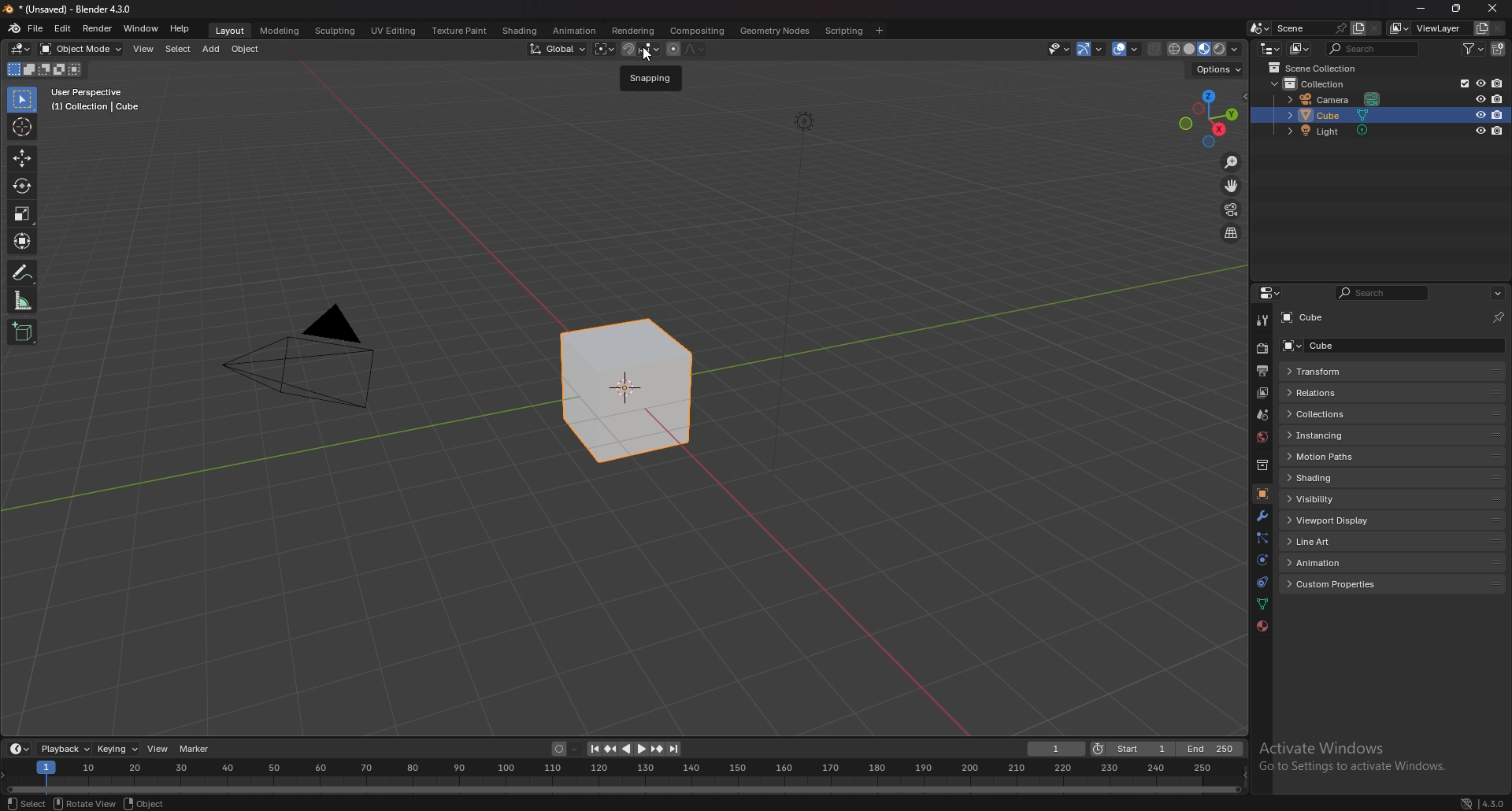  What do you see at coordinates (1480, 131) in the screenshot?
I see `hide in viewport` at bounding box center [1480, 131].